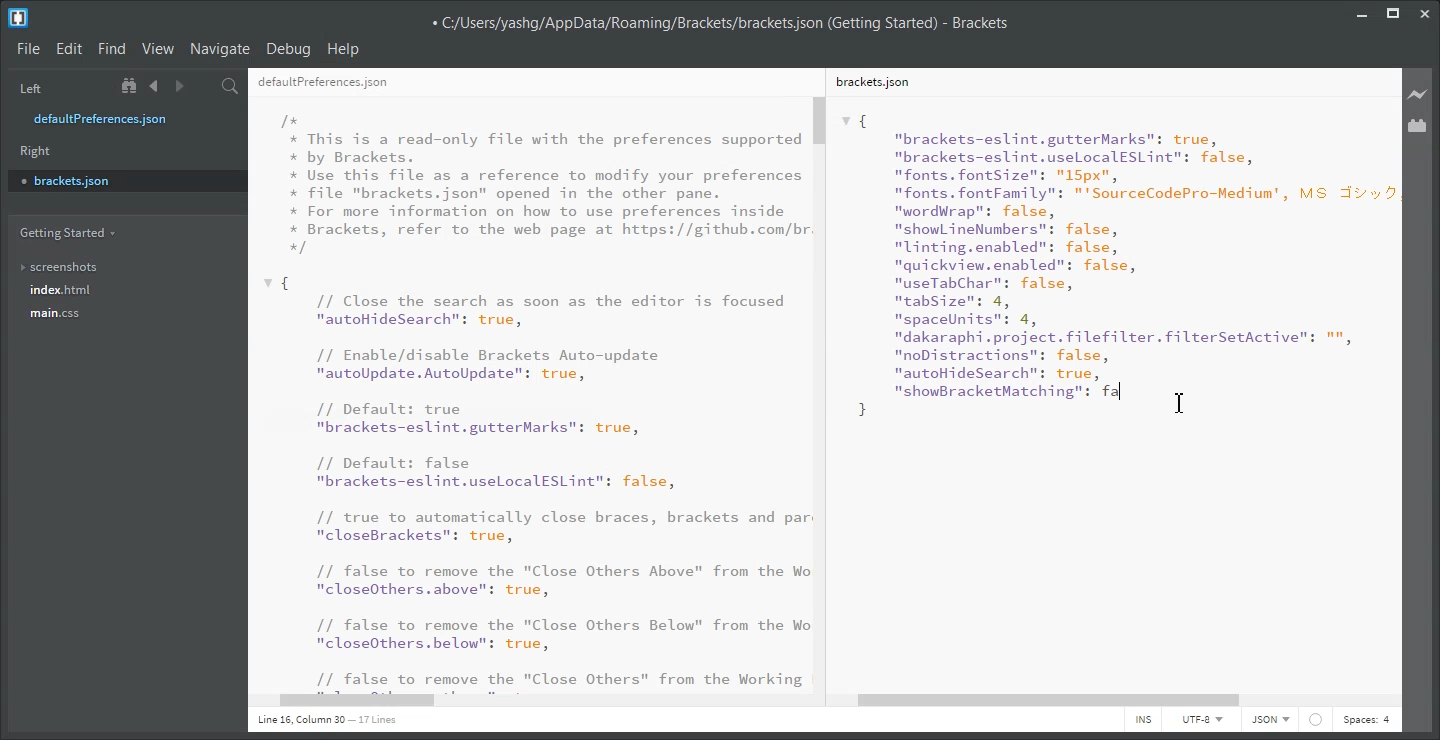  I want to click on UTF-8, so click(1201, 719).